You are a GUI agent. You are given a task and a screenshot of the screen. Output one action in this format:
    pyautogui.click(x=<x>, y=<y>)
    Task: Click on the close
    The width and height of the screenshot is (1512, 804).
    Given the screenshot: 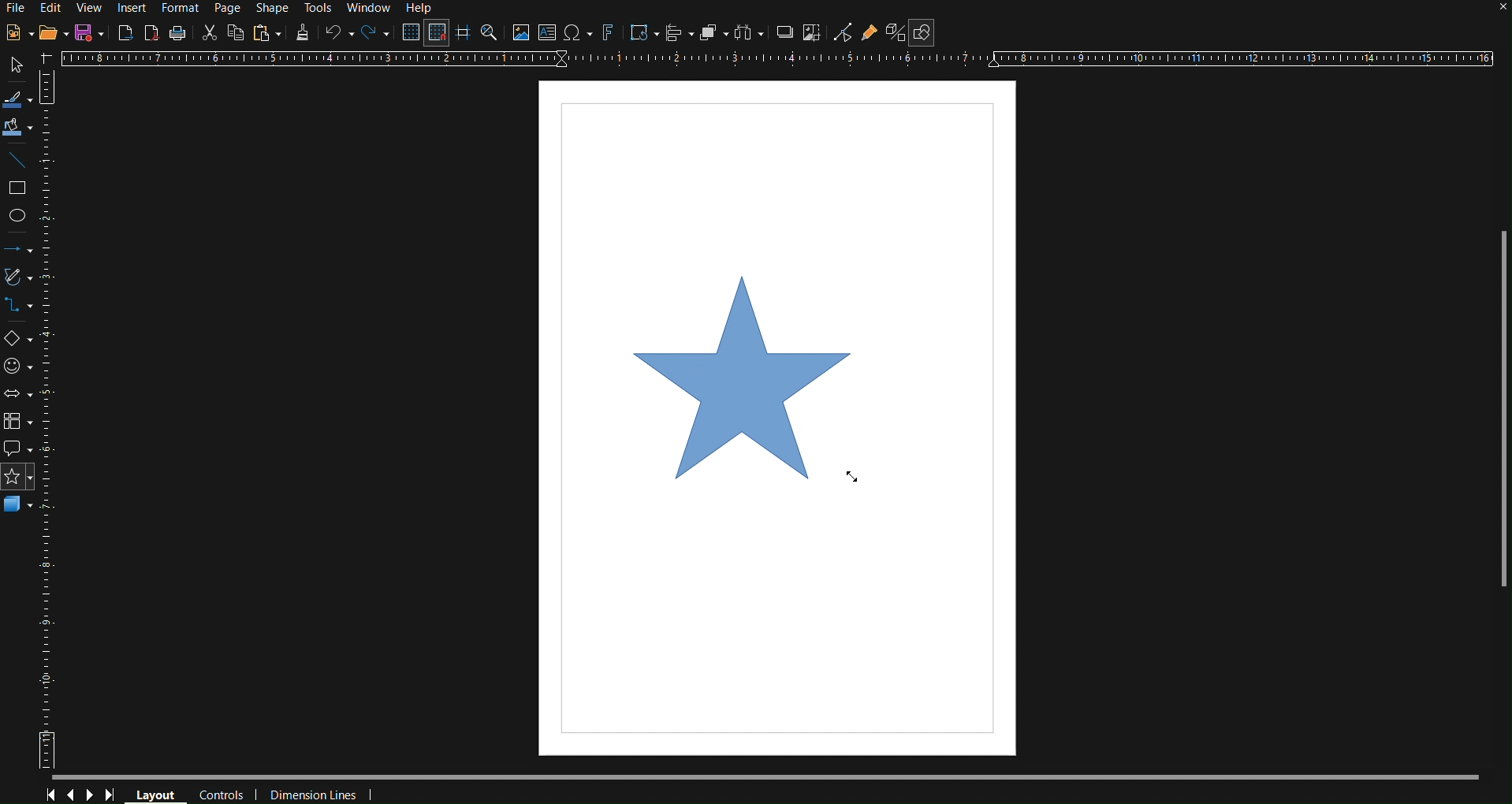 What is the action you would take?
    pyautogui.click(x=1488, y=12)
    